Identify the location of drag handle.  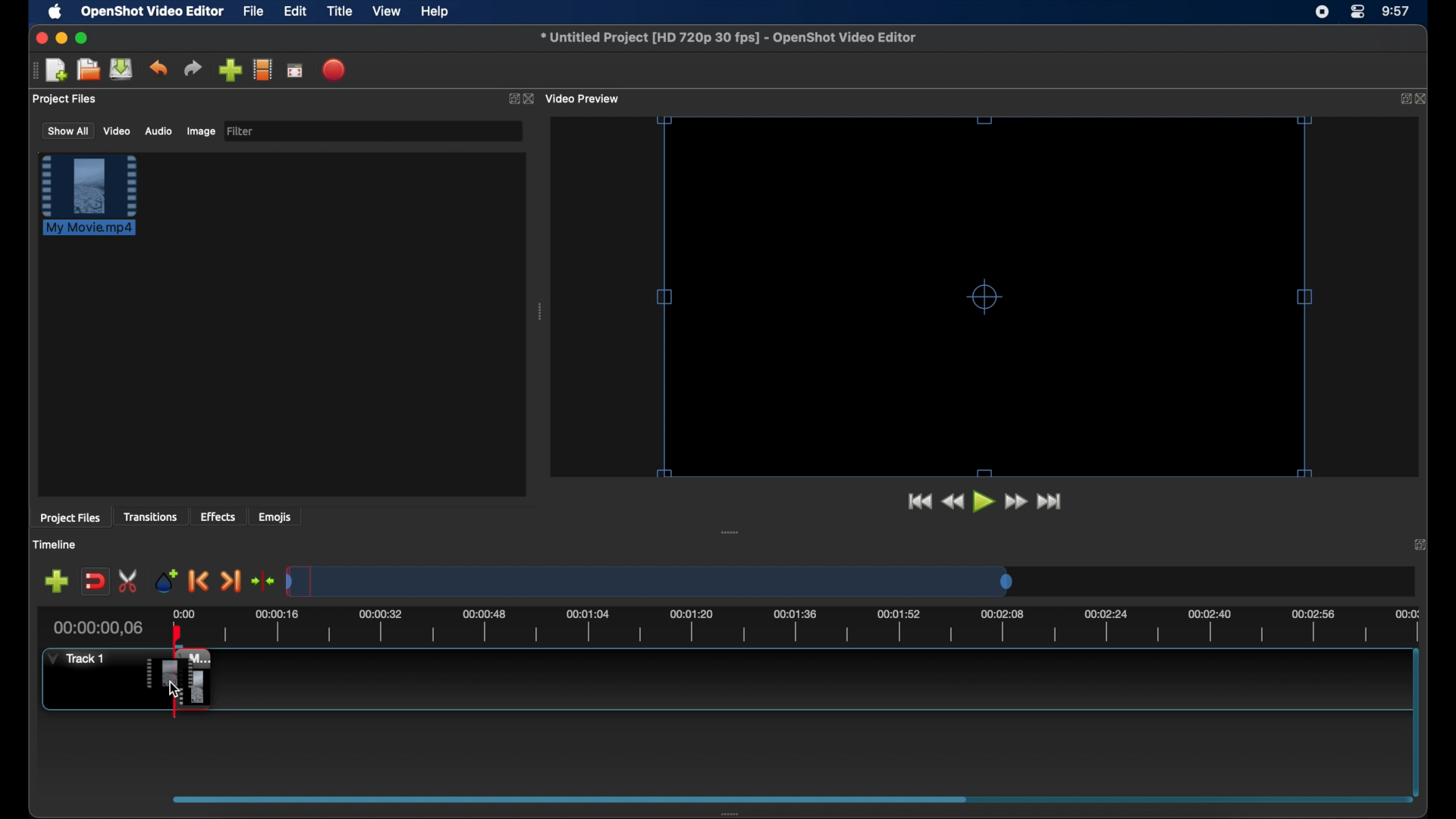
(541, 312).